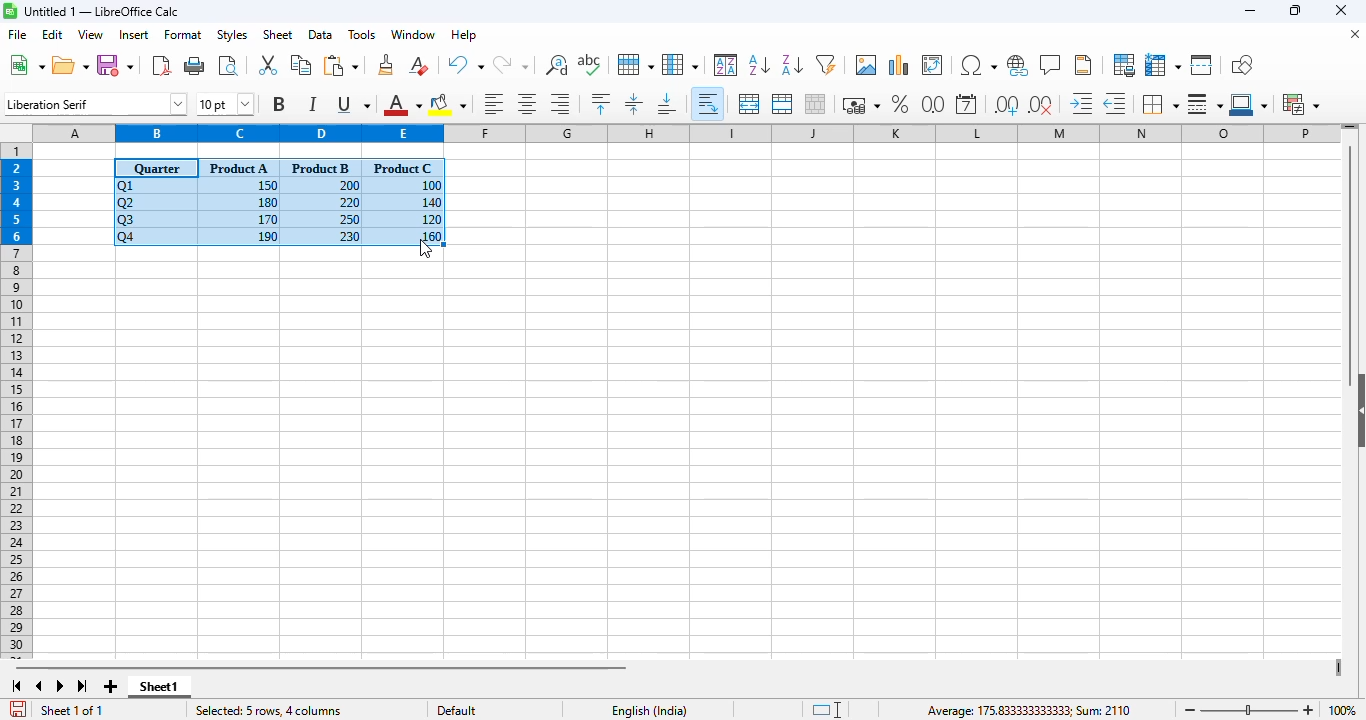 This screenshot has width=1366, height=720. I want to click on rows, so click(16, 401).